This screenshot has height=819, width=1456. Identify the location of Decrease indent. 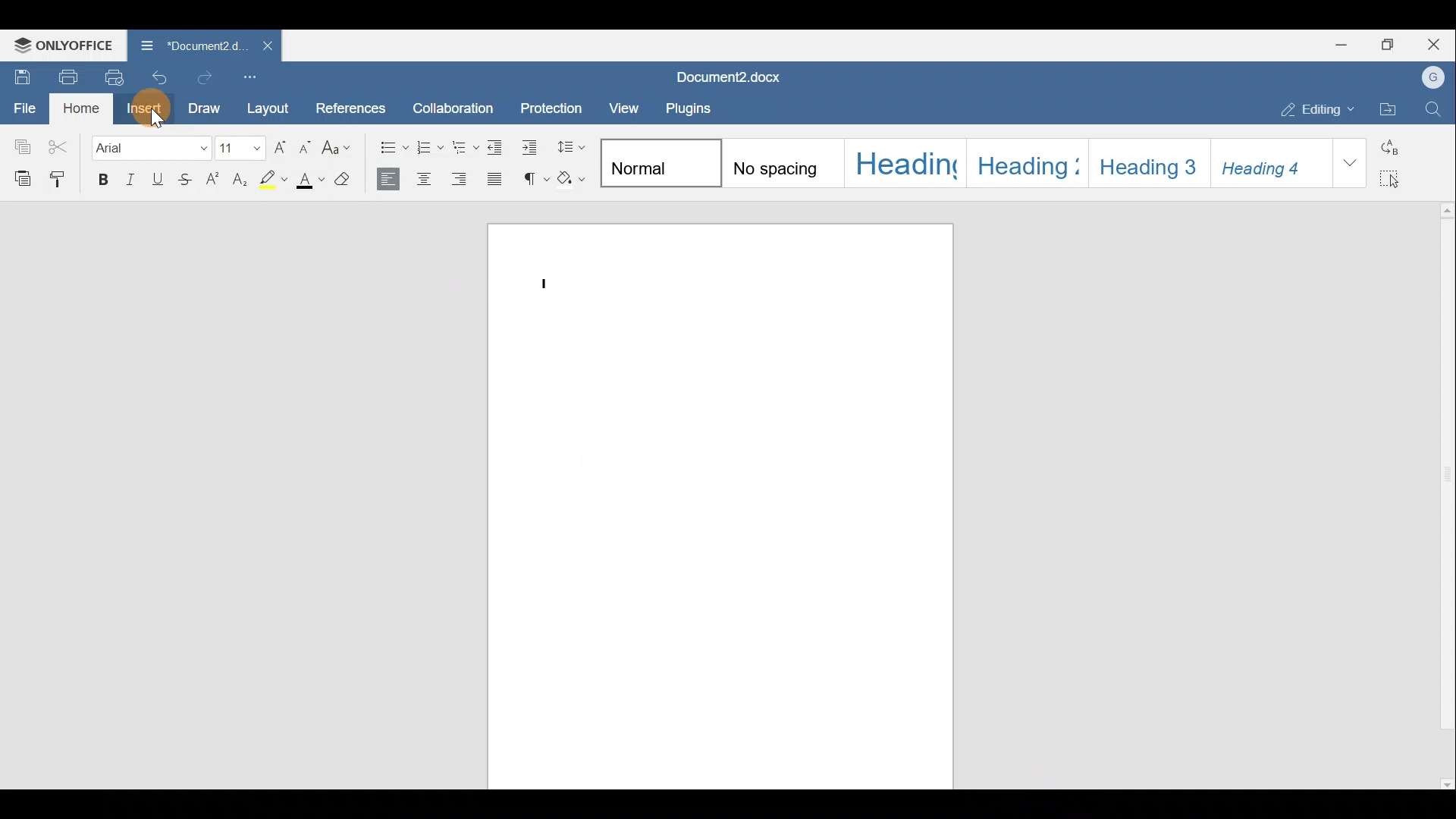
(497, 146).